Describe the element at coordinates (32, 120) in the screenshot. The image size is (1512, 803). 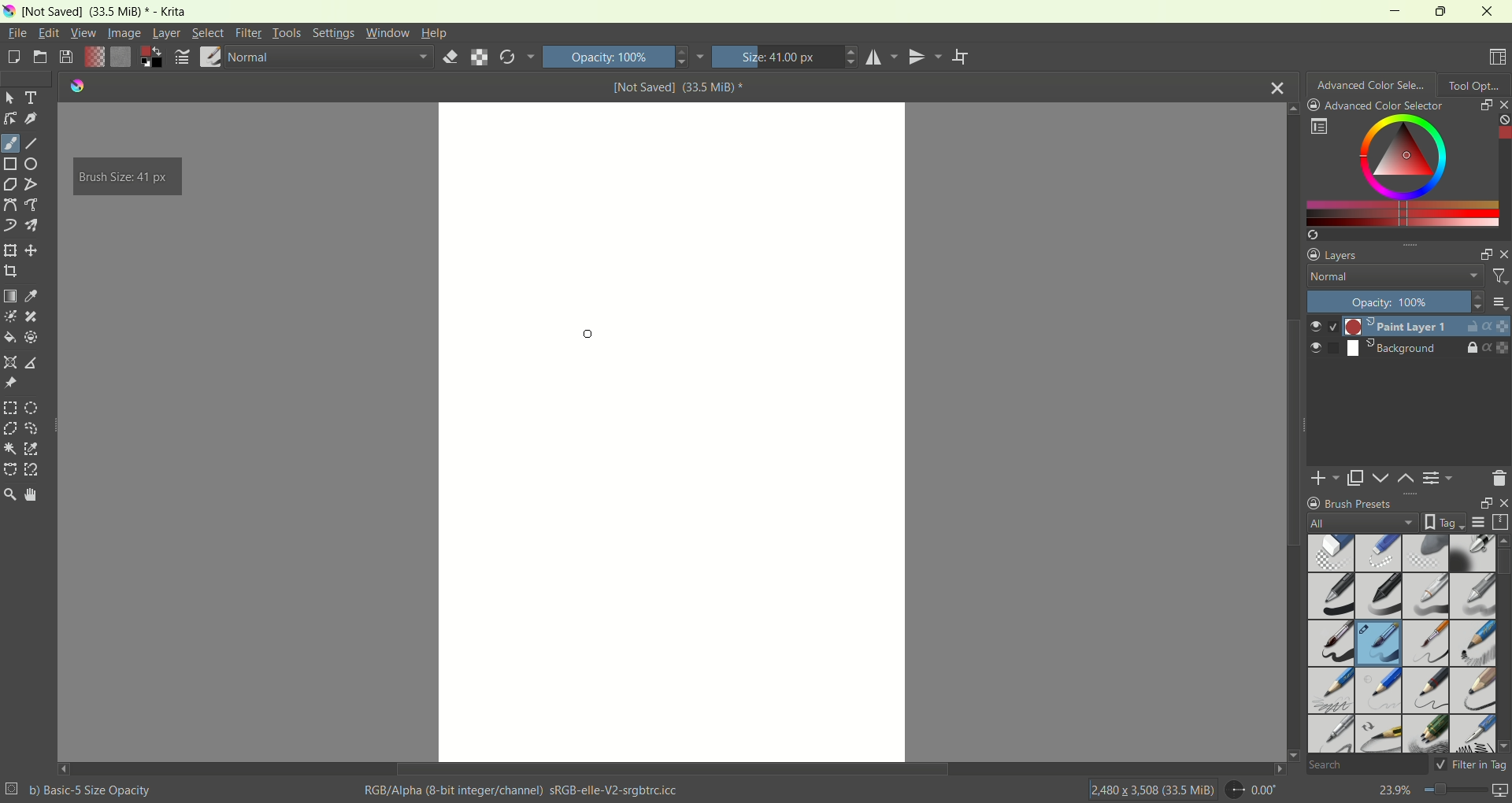
I see `calligraphy` at that location.